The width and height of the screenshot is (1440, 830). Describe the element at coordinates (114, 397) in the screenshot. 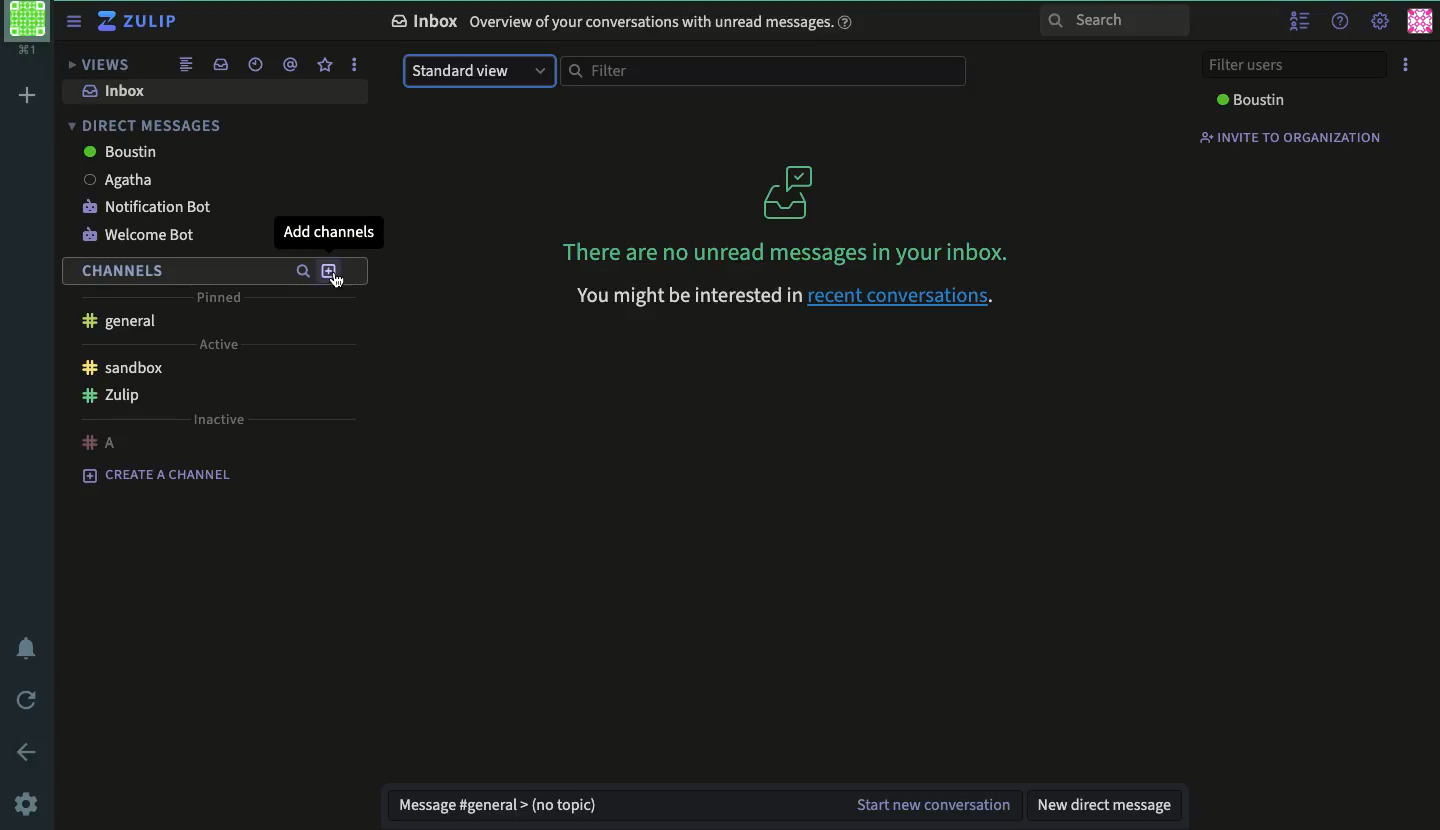

I see `Zulip` at that location.